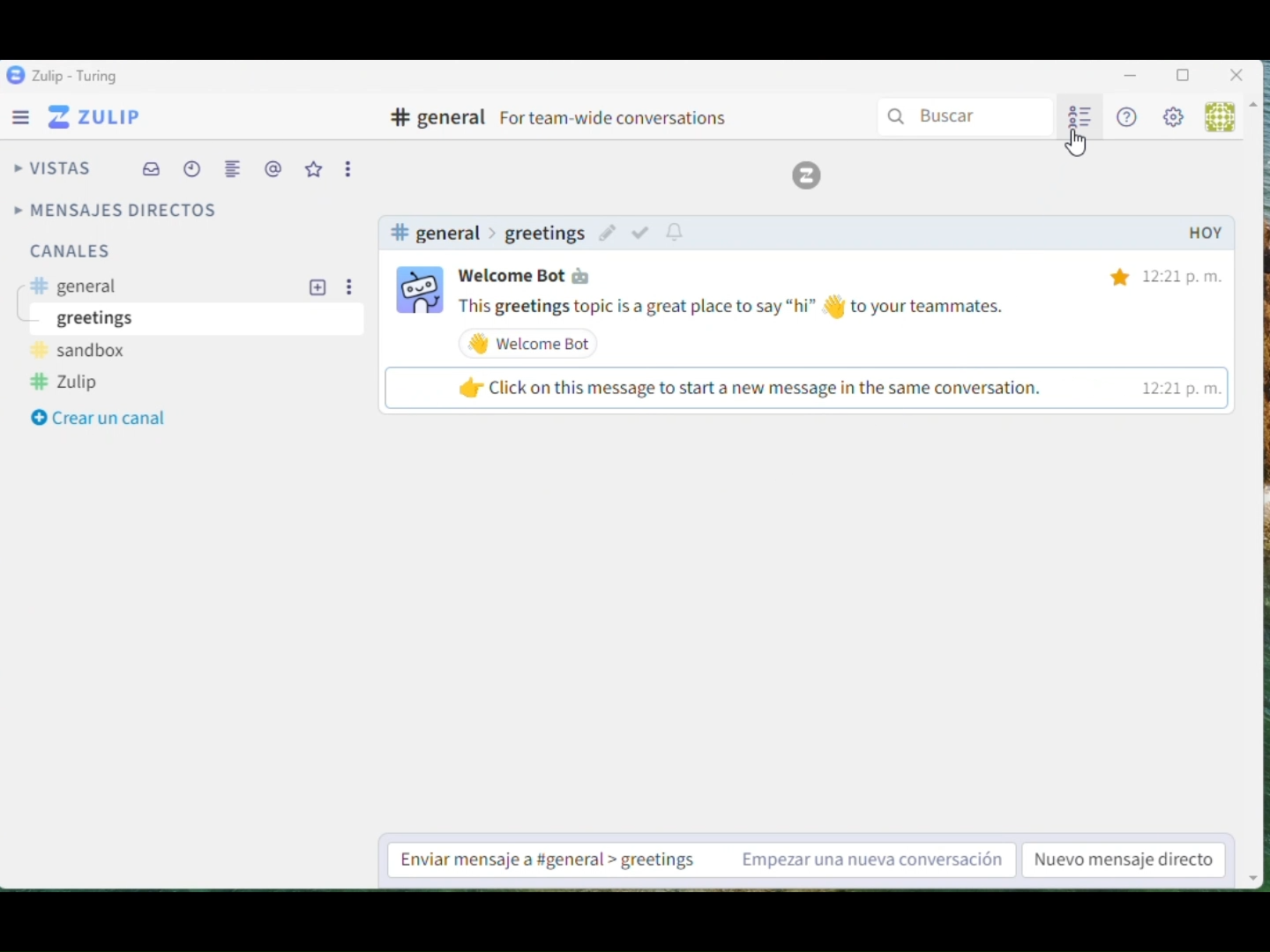  Describe the element at coordinates (132, 256) in the screenshot. I see `Channels` at that location.